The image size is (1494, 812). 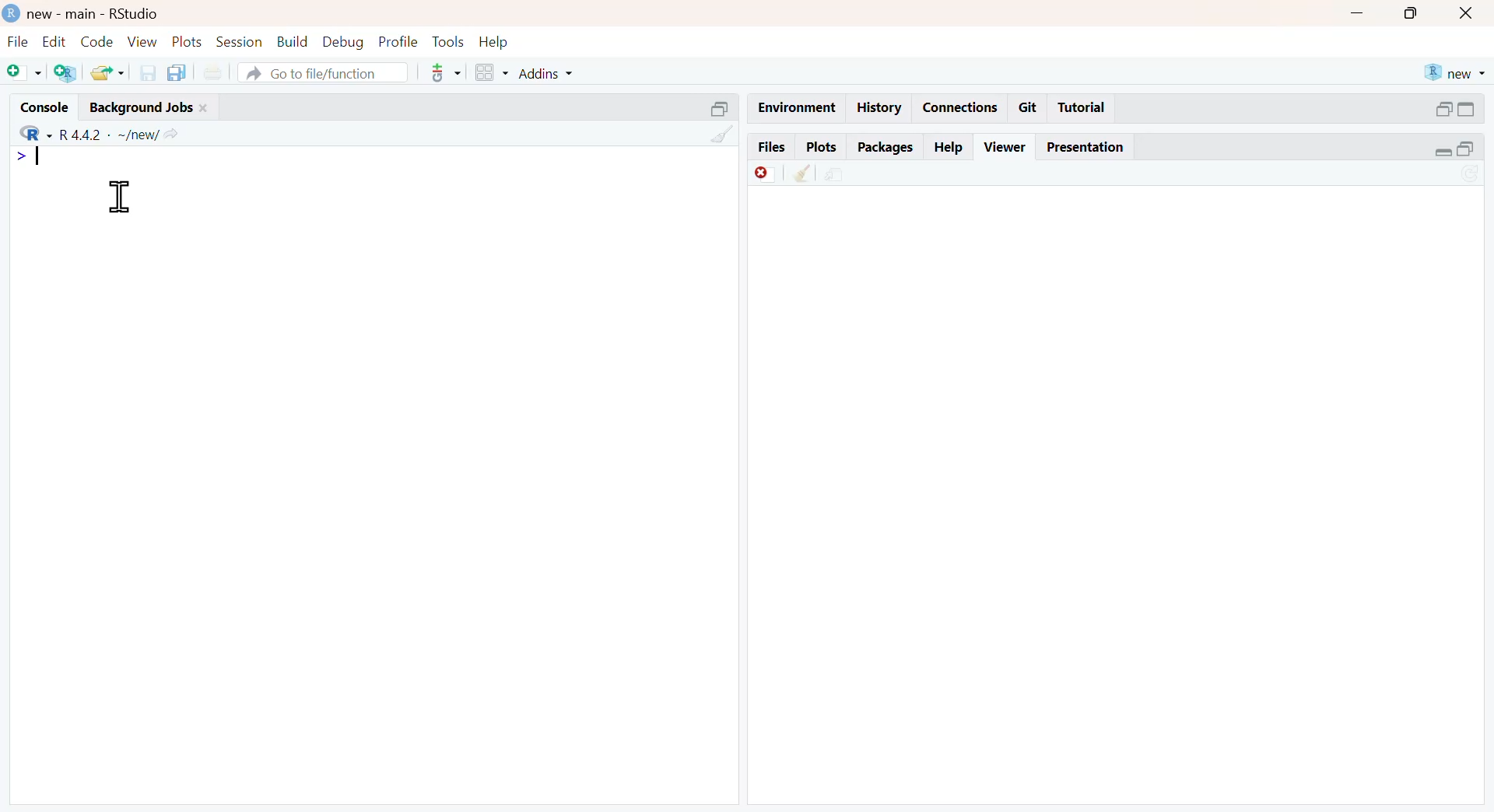 What do you see at coordinates (1085, 147) in the screenshot?
I see `Presentation ` at bounding box center [1085, 147].